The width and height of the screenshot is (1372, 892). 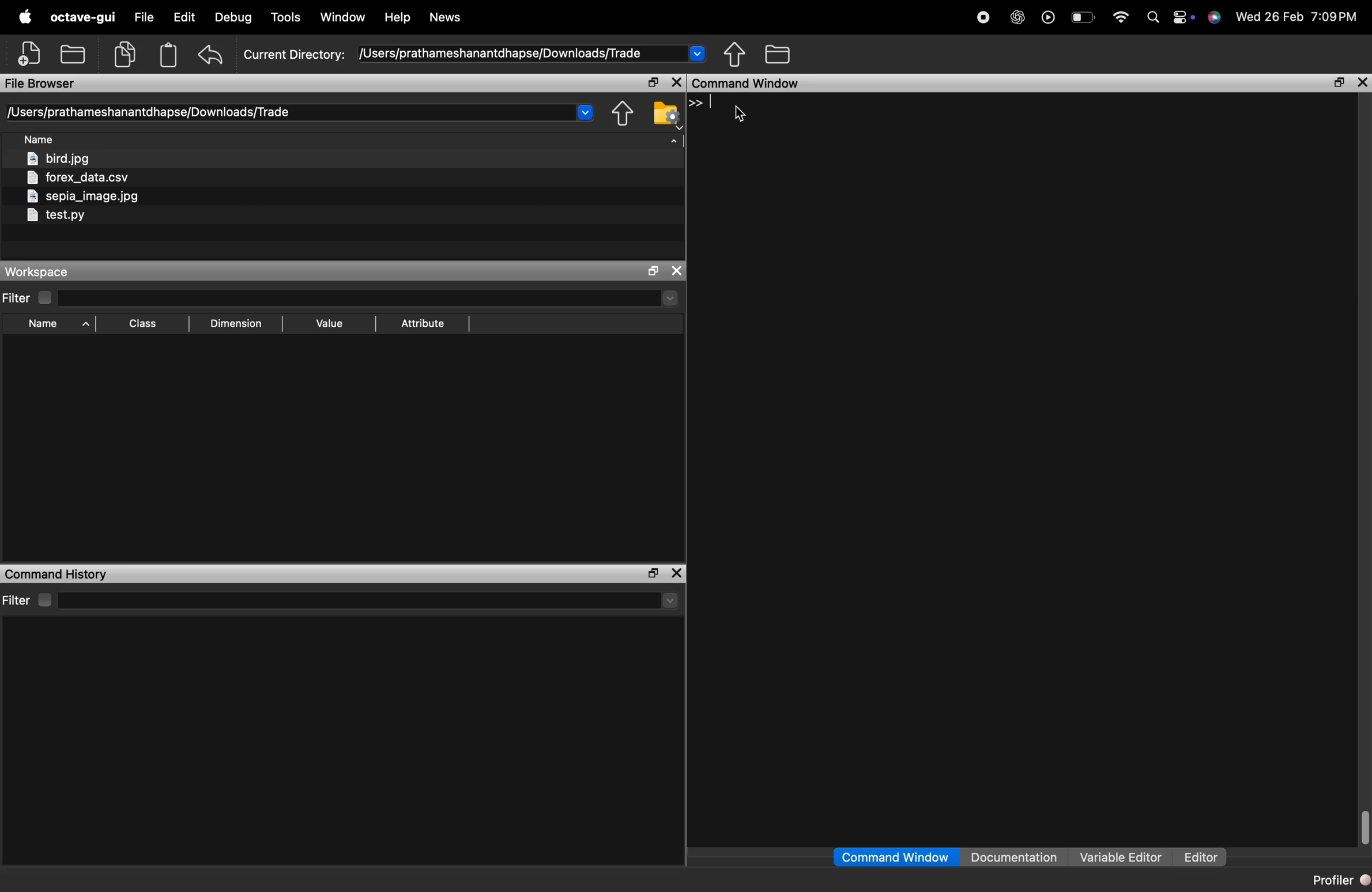 What do you see at coordinates (623, 114) in the screenshot?
I see `one directory up` at bounding box center [623, 114].